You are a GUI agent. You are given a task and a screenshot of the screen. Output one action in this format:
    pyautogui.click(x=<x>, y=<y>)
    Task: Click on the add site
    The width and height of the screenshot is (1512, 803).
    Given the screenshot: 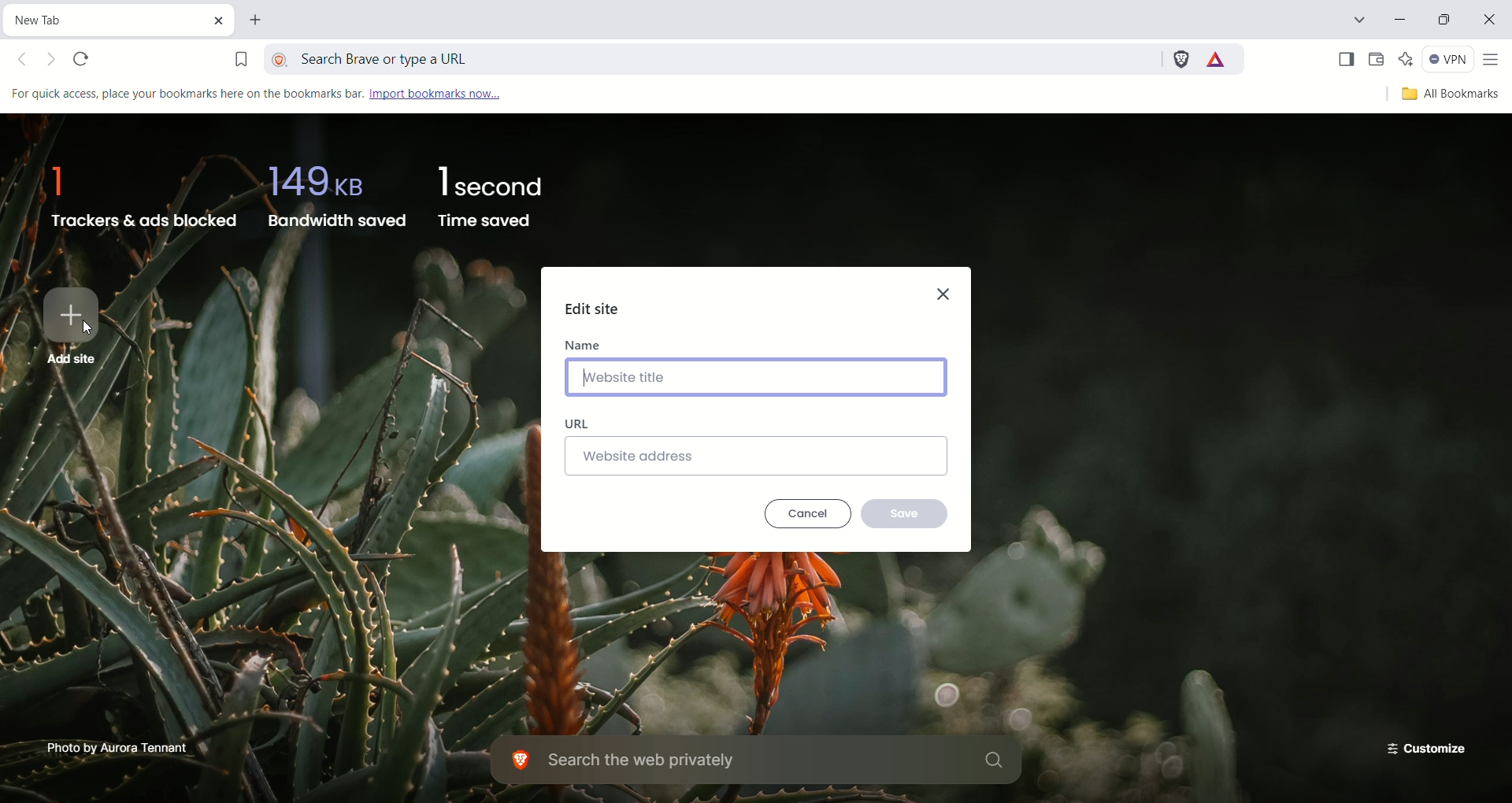 What is the action you would take?
    pyautogui.click(x=69, y=325)
    